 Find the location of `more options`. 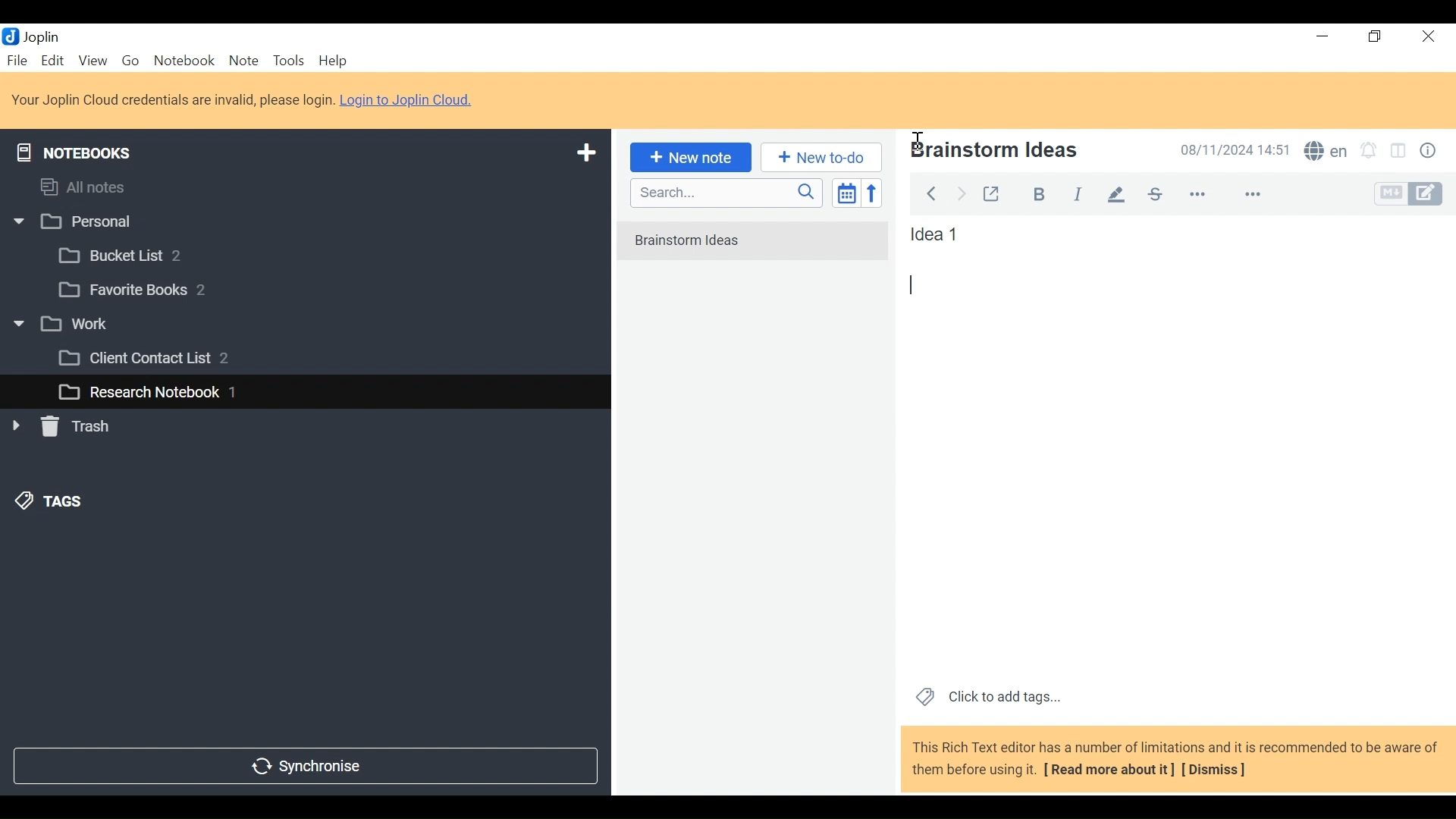

more options is located at coordinates (1207, 195).